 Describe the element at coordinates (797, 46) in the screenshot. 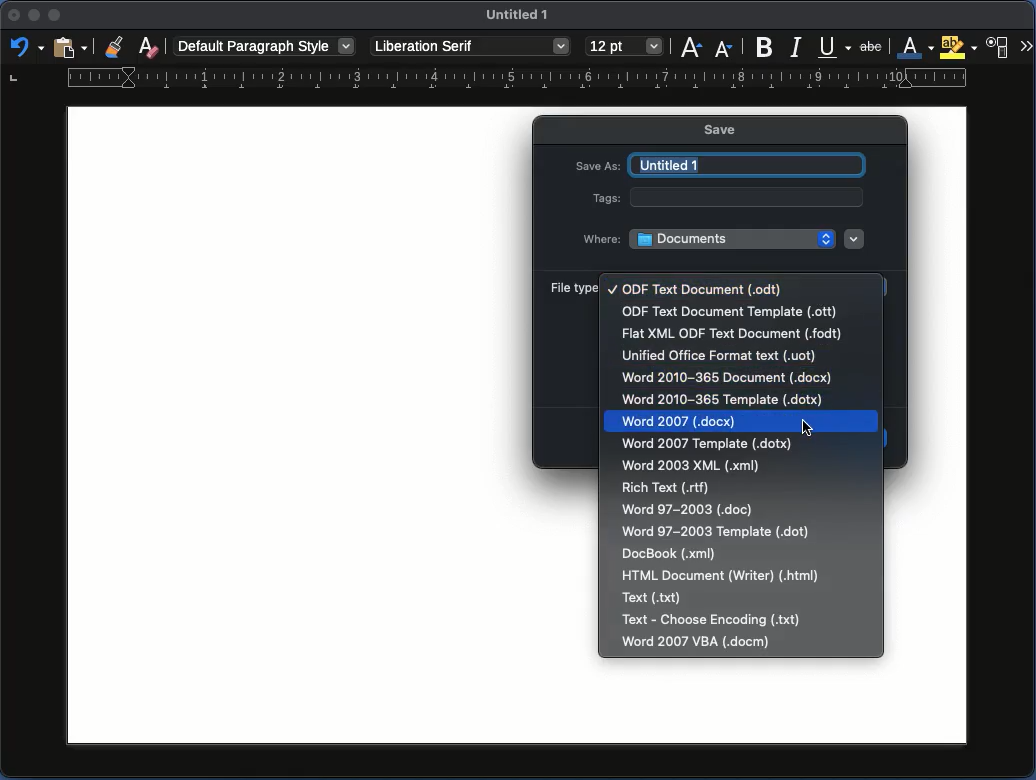

I see `Italics` at that location.